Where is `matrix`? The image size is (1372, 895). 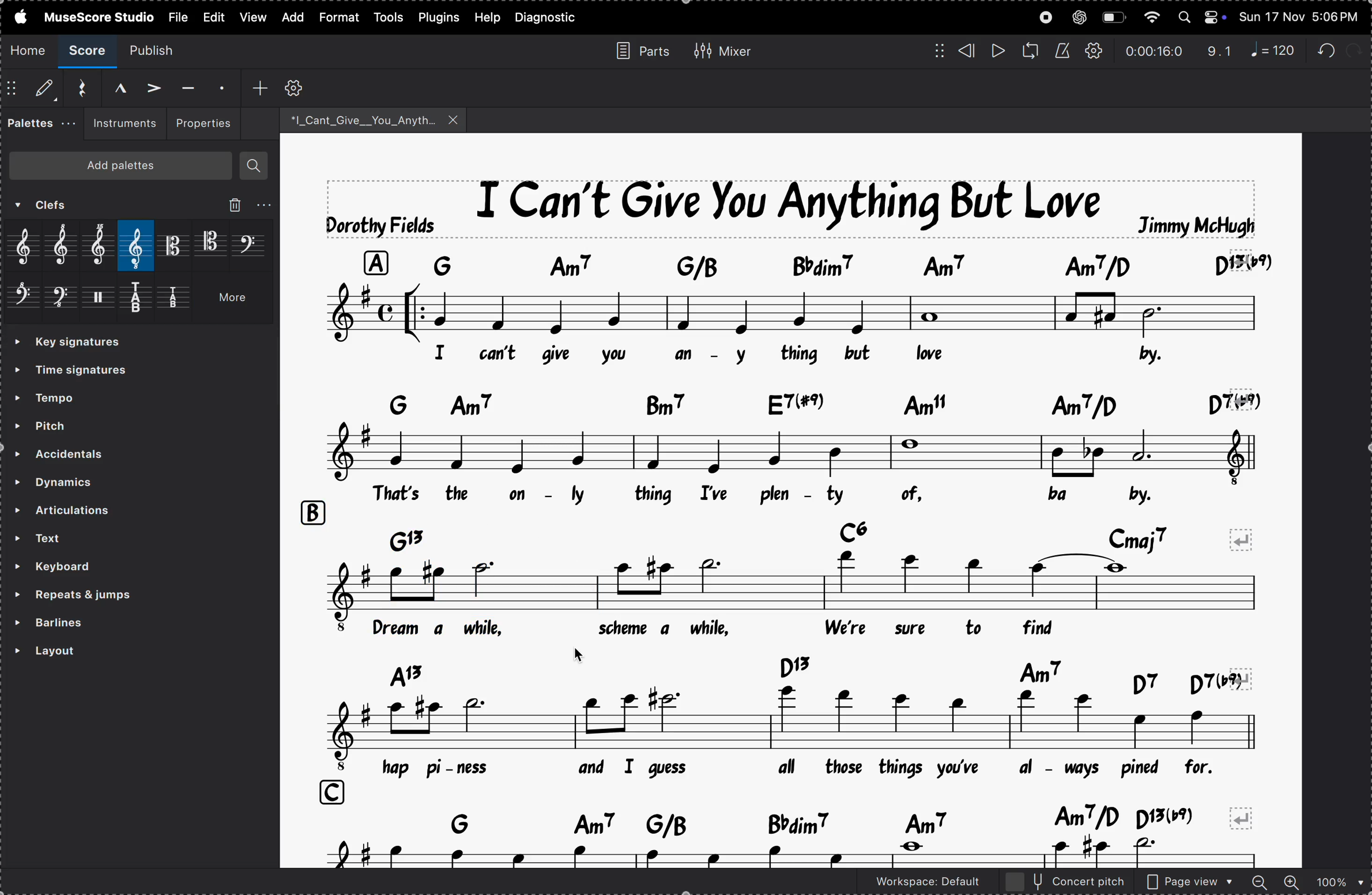 matrix is located at coordinates (934, 50).